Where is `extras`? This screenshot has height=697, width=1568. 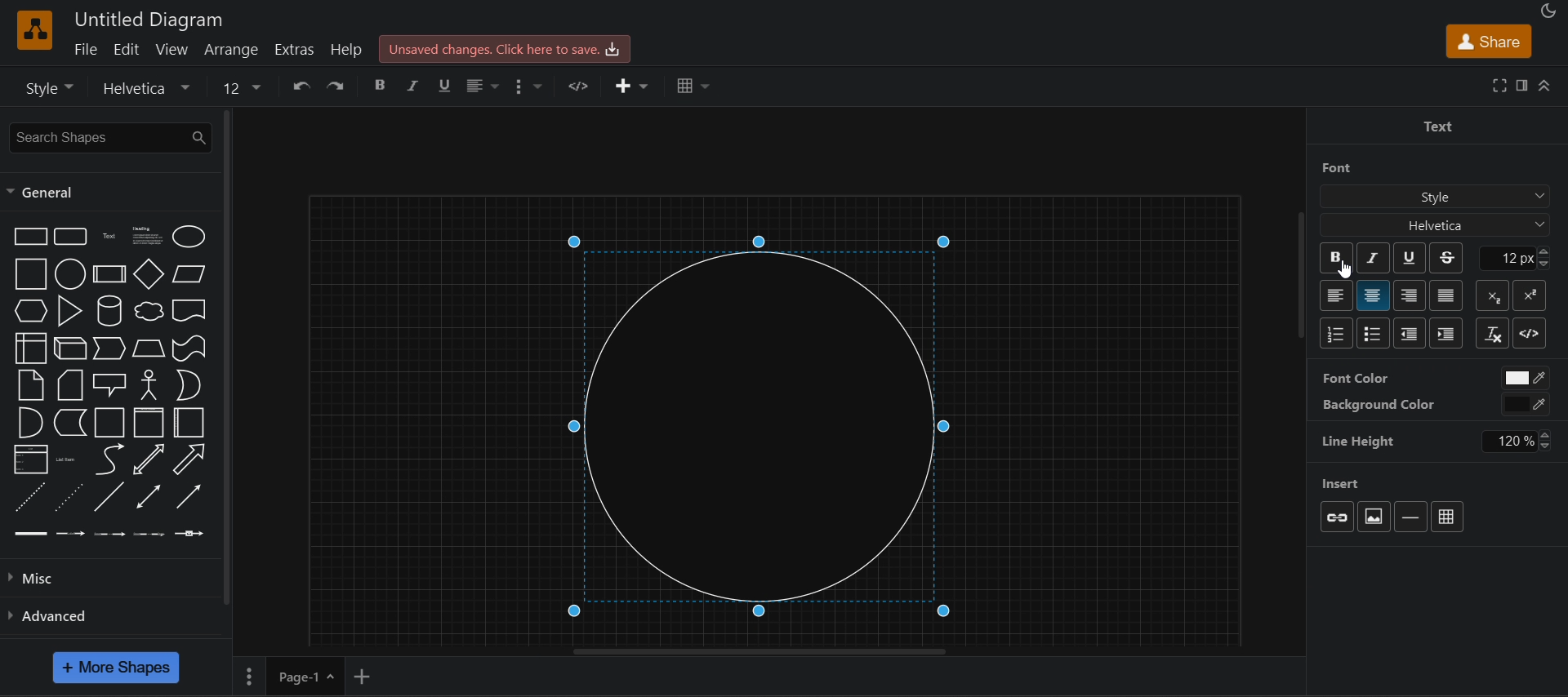
extras is located at coordinates (295, 51).